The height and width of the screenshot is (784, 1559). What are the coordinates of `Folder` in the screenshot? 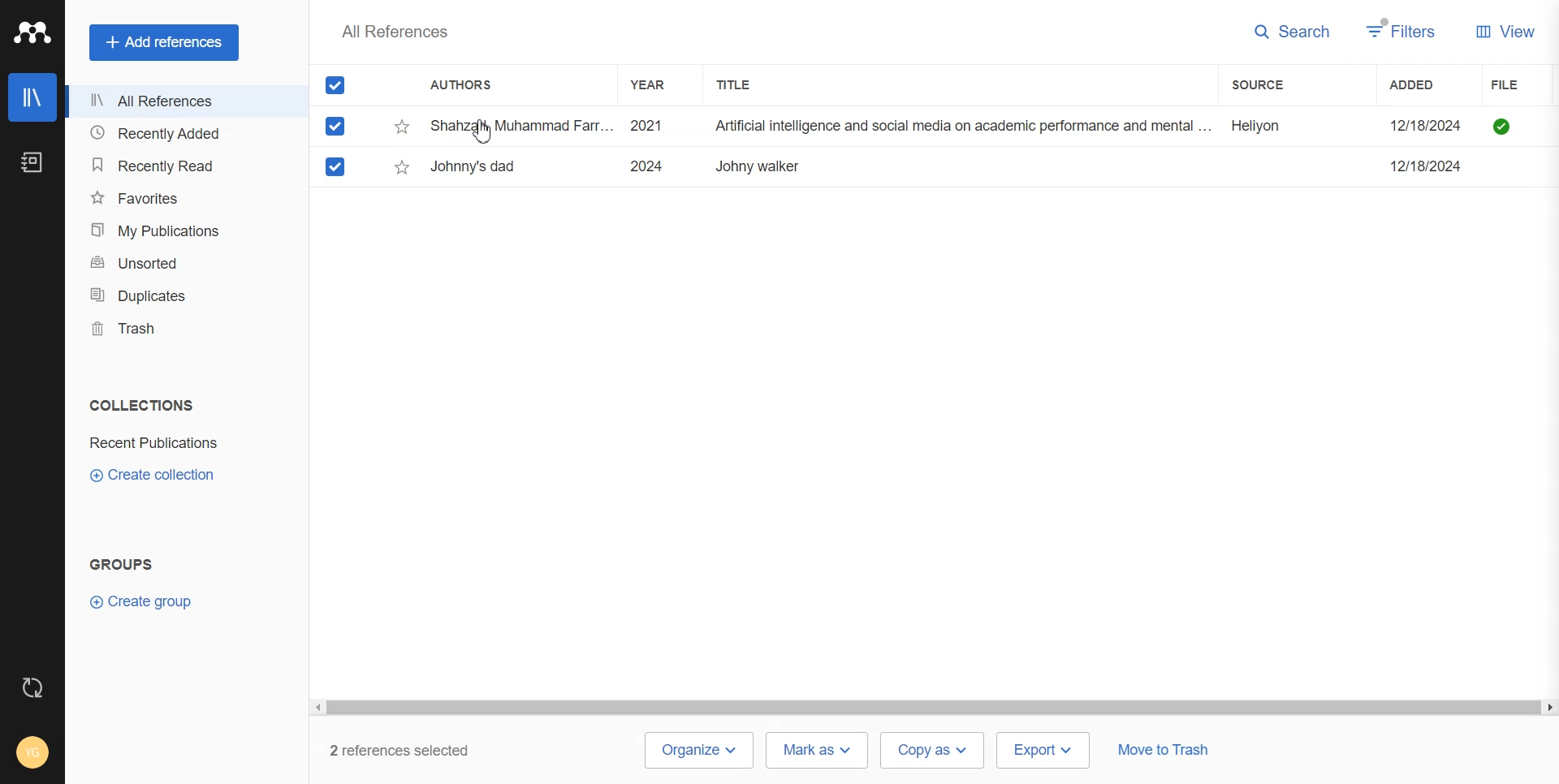 It's located at (157, 443).